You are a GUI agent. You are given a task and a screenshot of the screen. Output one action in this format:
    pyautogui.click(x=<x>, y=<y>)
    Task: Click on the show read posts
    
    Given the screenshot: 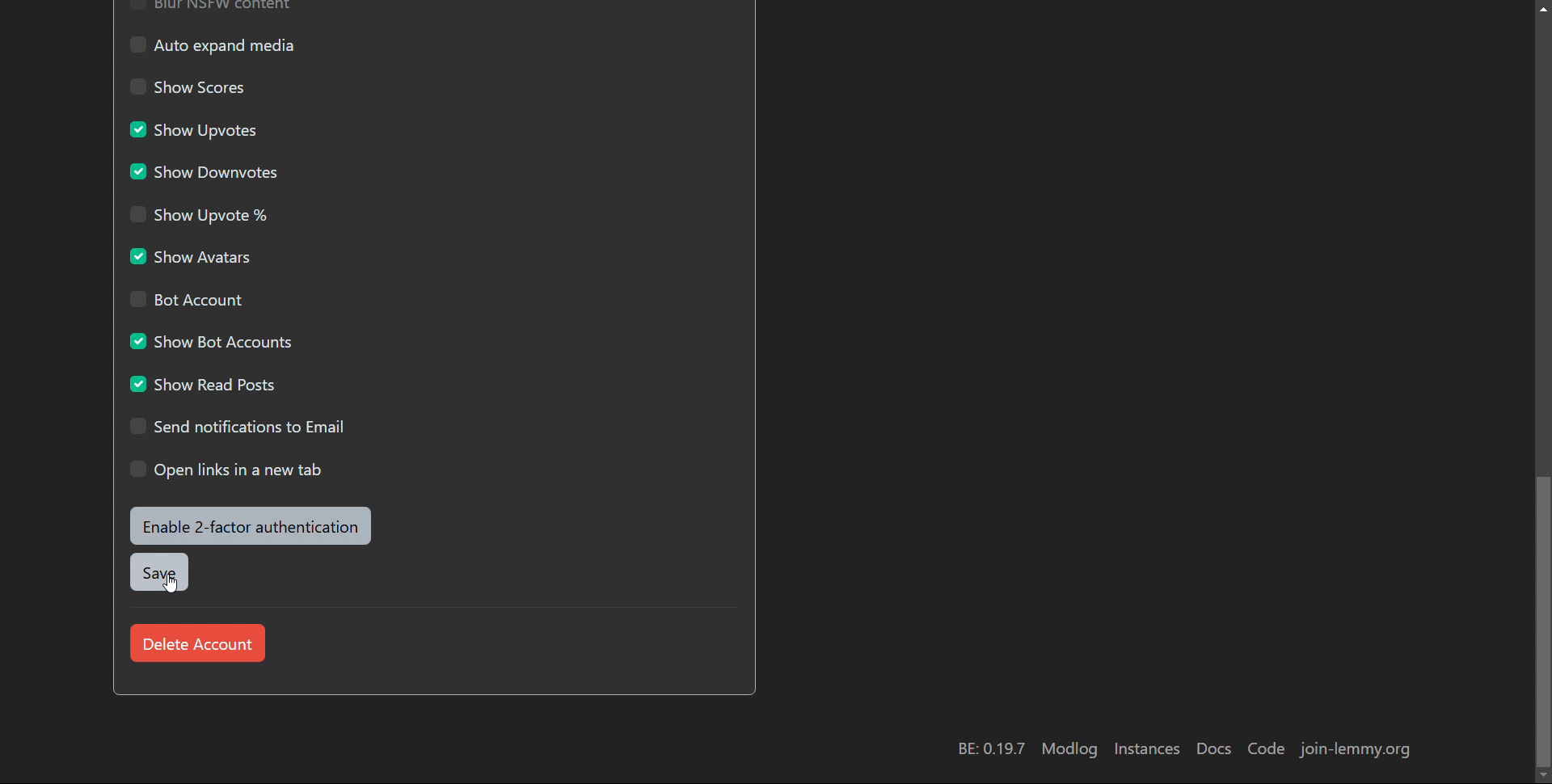 What is the action you would take?
    pyautogui.click(x=205, y=383)
    